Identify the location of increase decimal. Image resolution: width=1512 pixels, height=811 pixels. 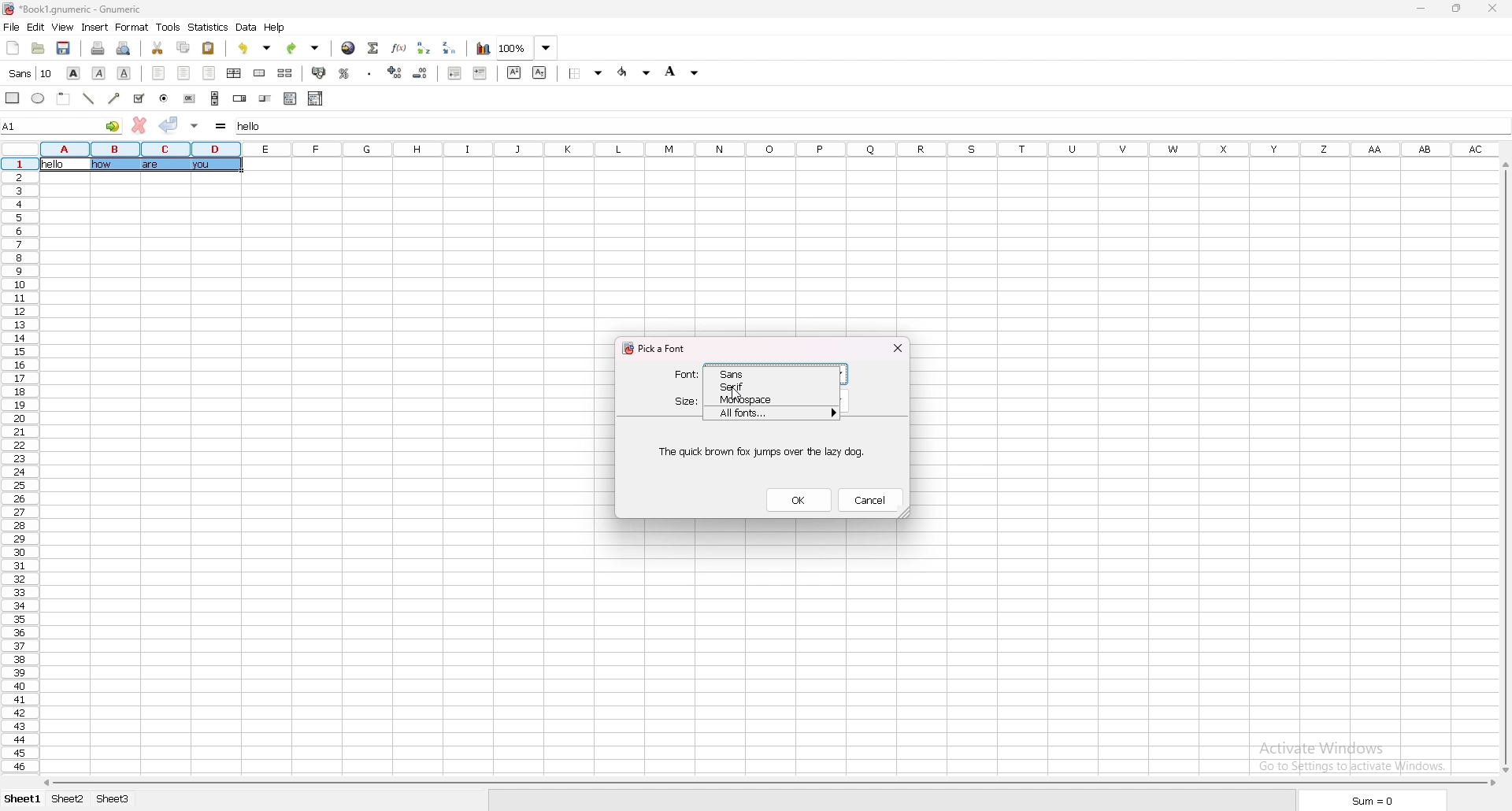
(396, 72).